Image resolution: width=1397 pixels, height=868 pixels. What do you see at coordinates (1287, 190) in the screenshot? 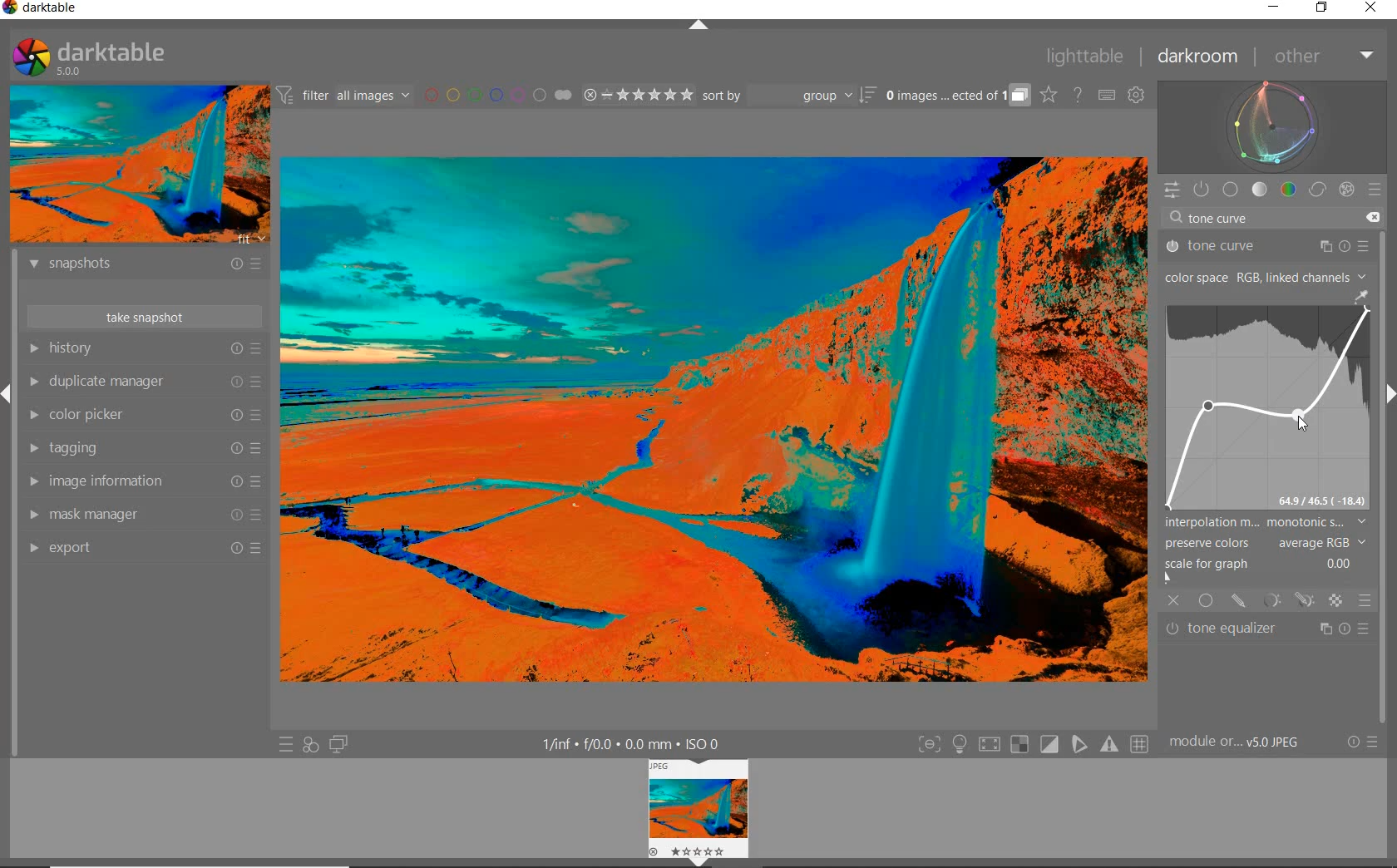
I see `color` at bounding box center [1287, 190].